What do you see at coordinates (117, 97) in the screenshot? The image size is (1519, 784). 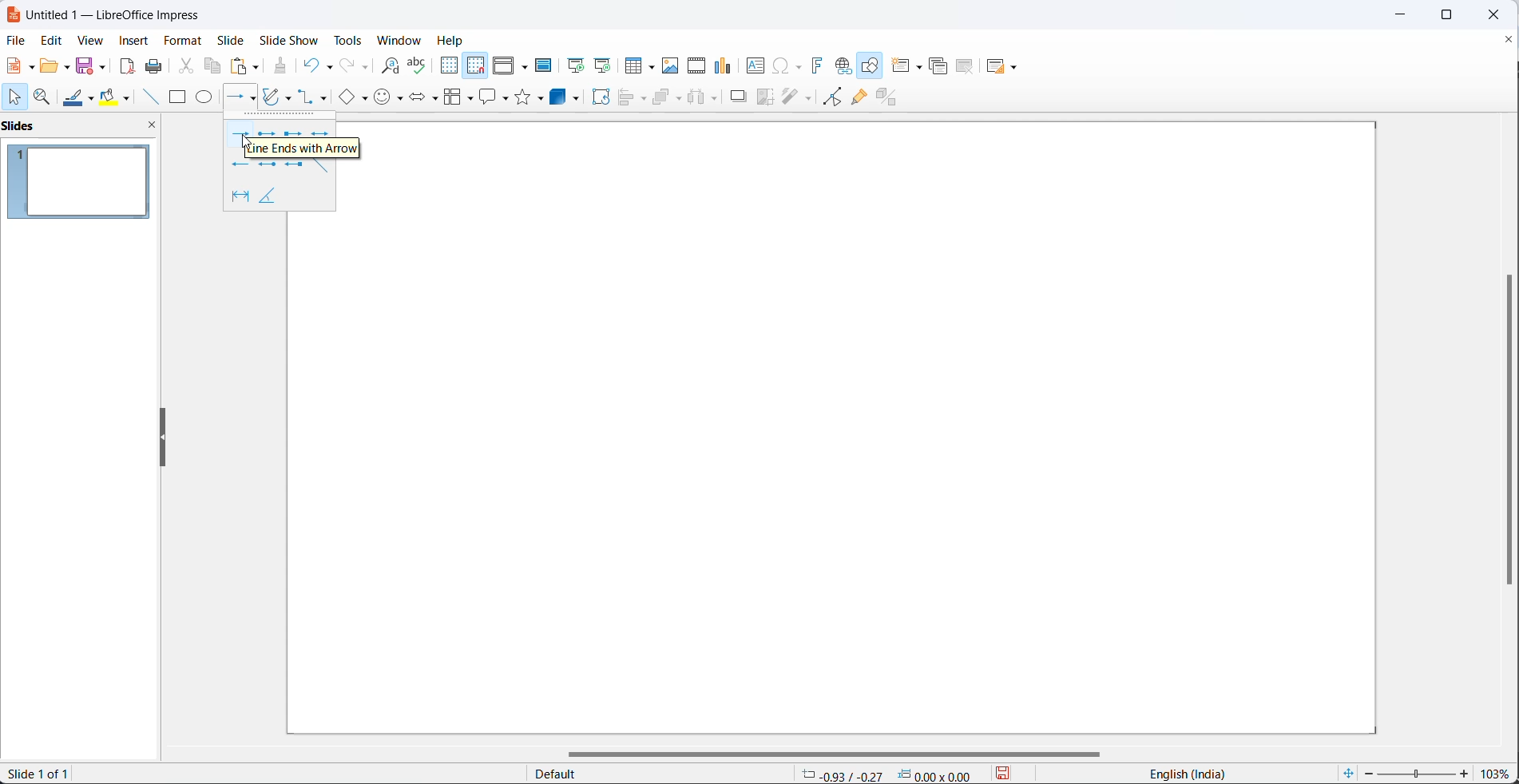 I see `fill color` at bounding box center [117, 97].